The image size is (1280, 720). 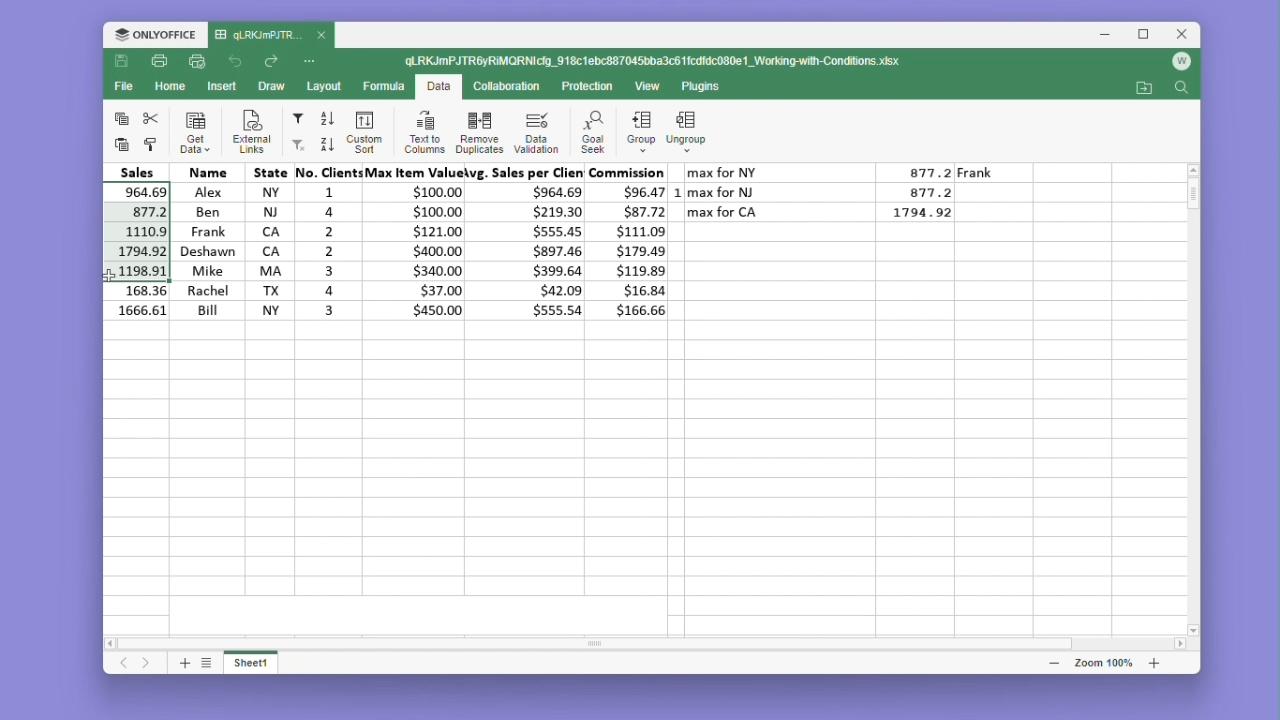 What do you see at coordinates (326, 144) in the screenshot?
I see `sort descending` at bounding box center [326, 144].